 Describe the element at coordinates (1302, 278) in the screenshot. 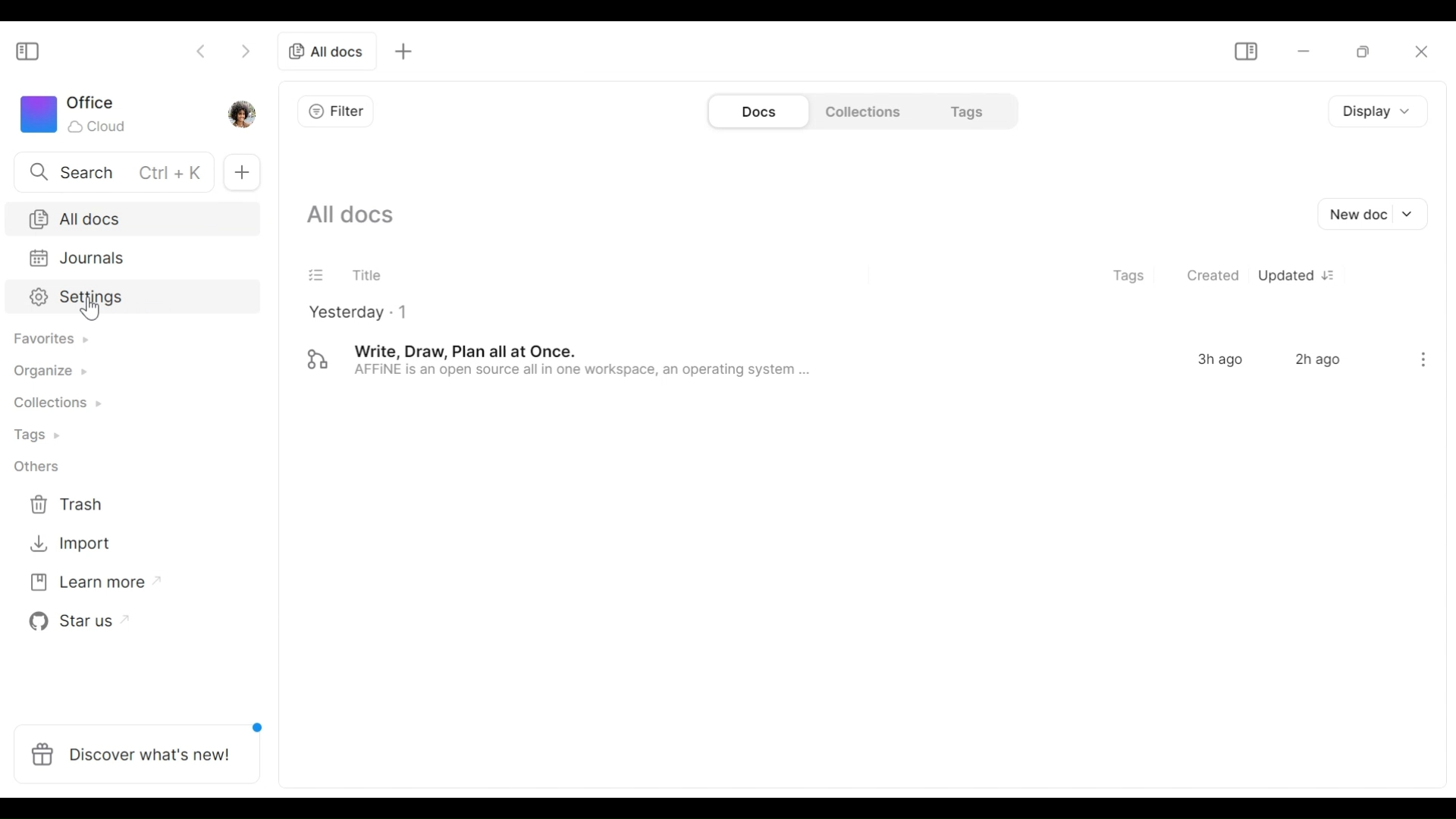

I see `Updated` at that location.